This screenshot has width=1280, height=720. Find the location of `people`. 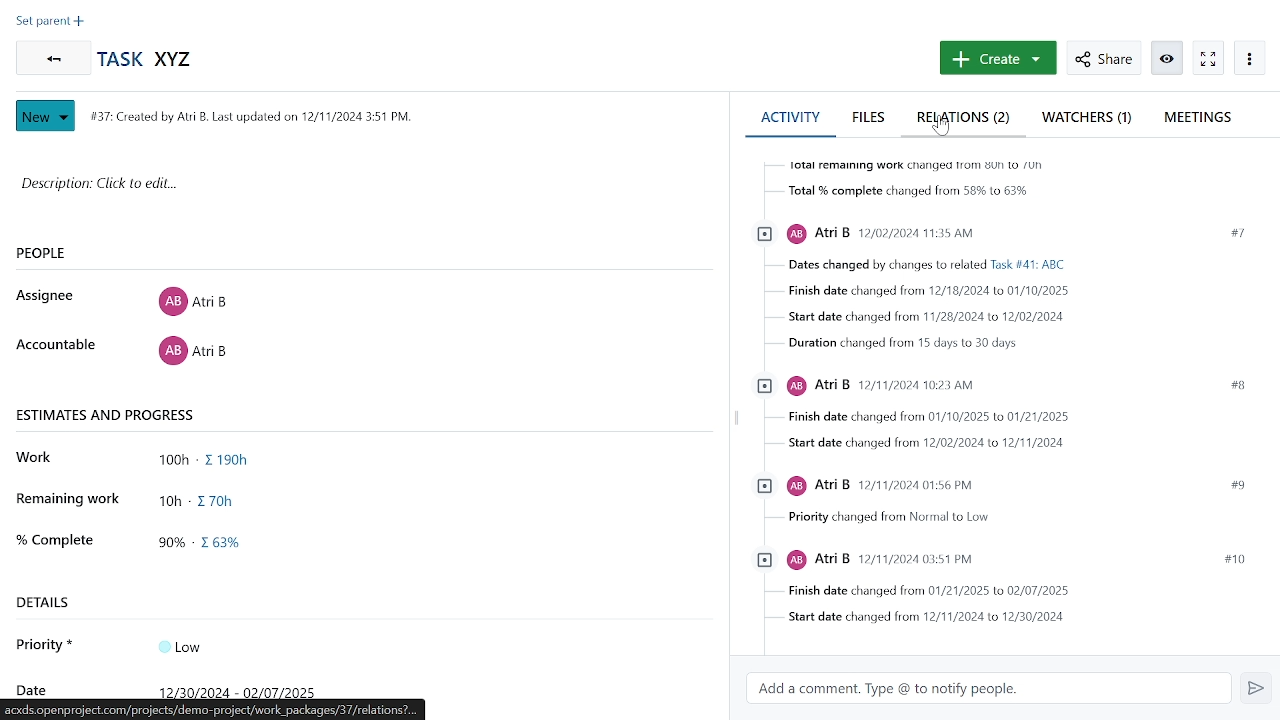

people is located at coordinates (74, 254).